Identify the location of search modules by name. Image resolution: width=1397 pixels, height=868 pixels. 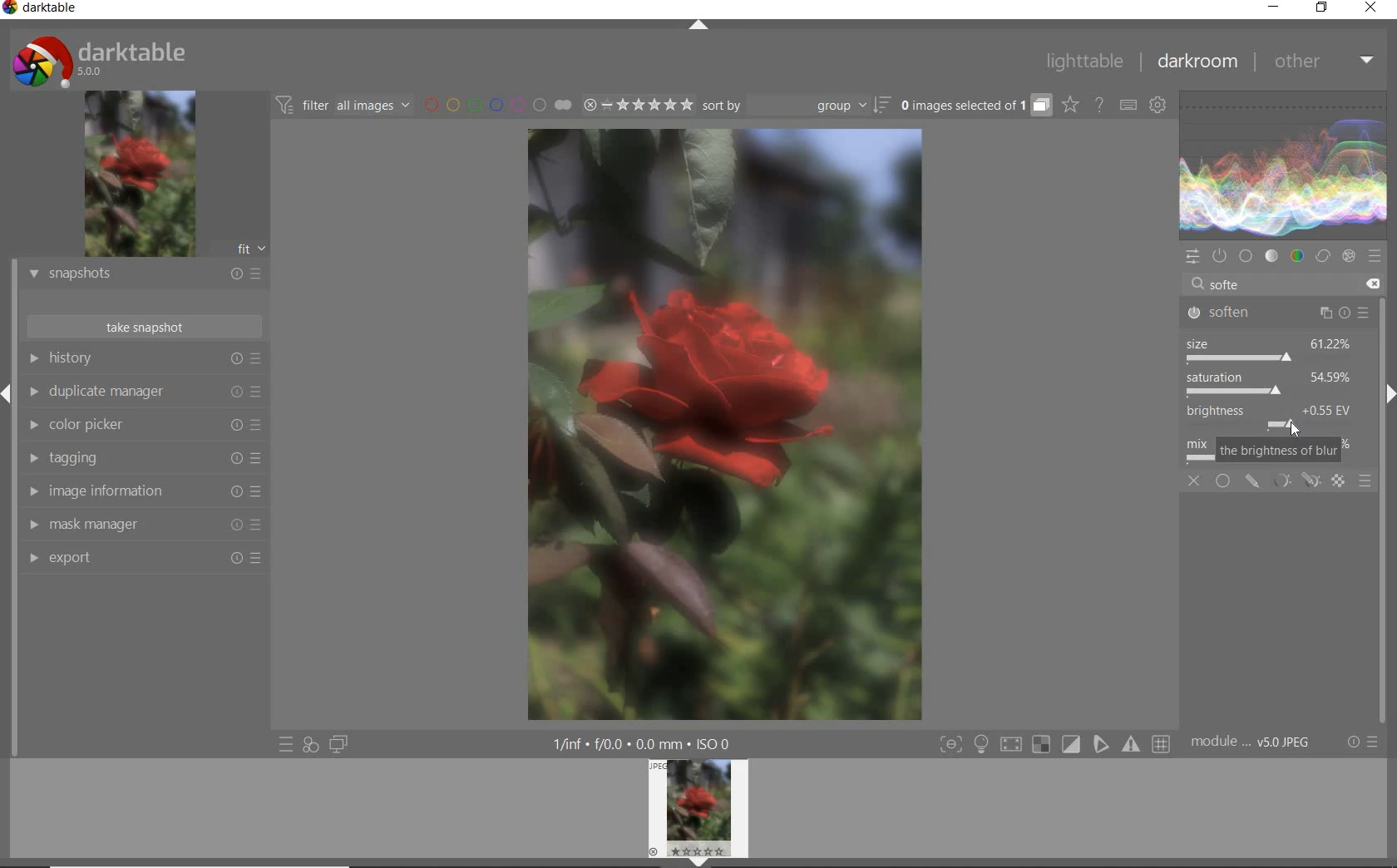
(1268, 283).